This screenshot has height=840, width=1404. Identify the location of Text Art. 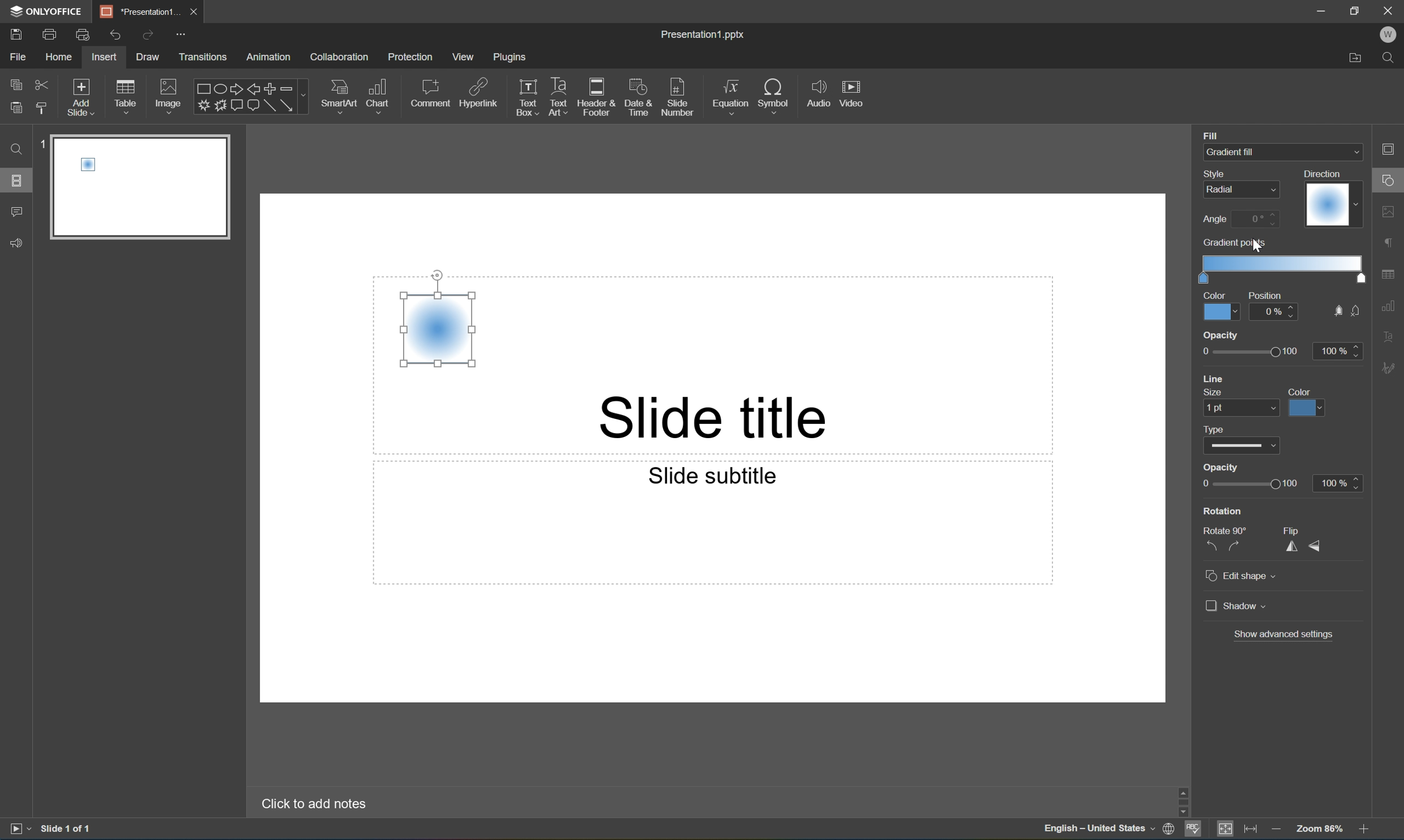
(559, 98).